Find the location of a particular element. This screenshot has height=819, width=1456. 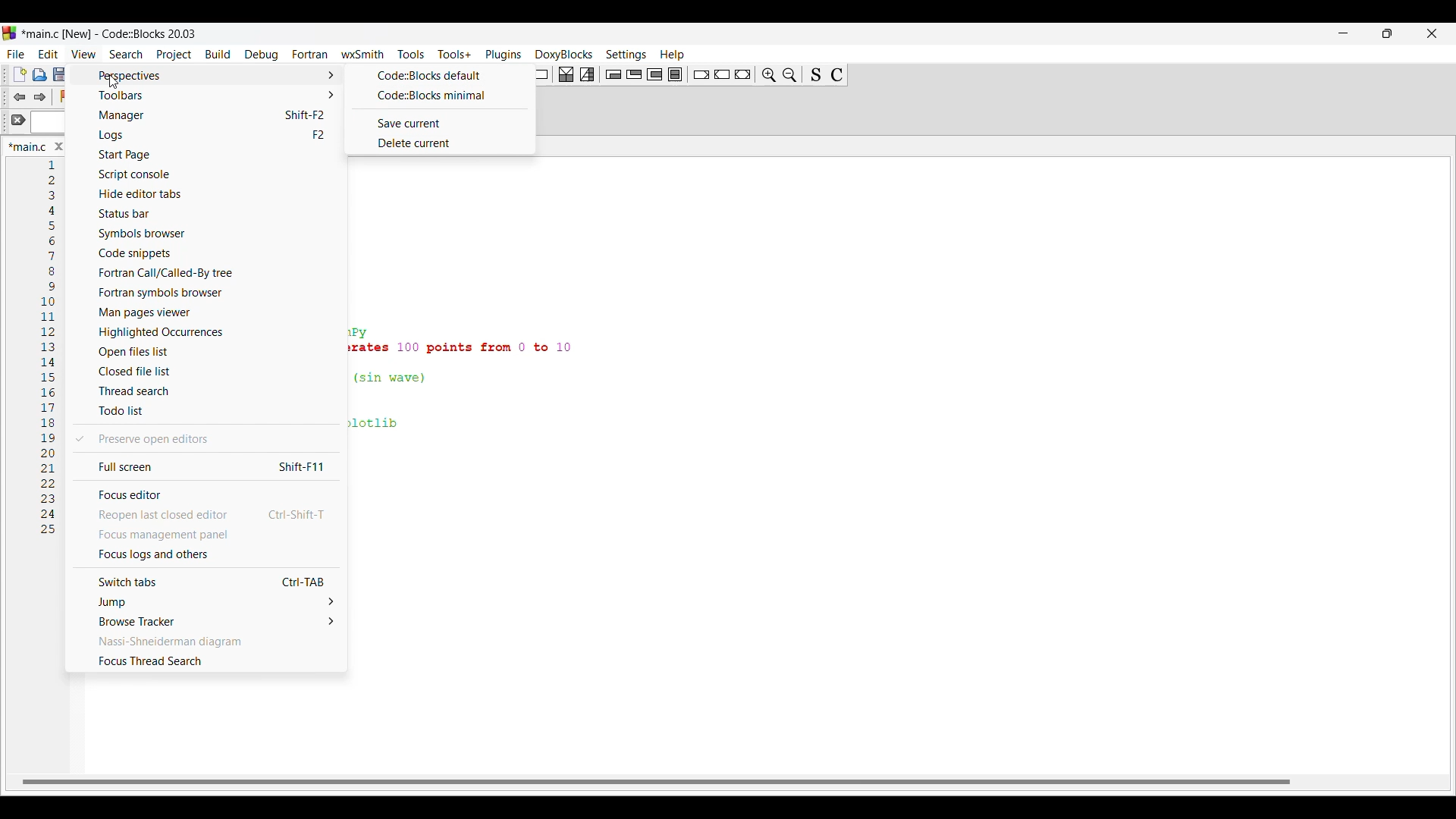

Closed file list is located at coordinates (205, 372).